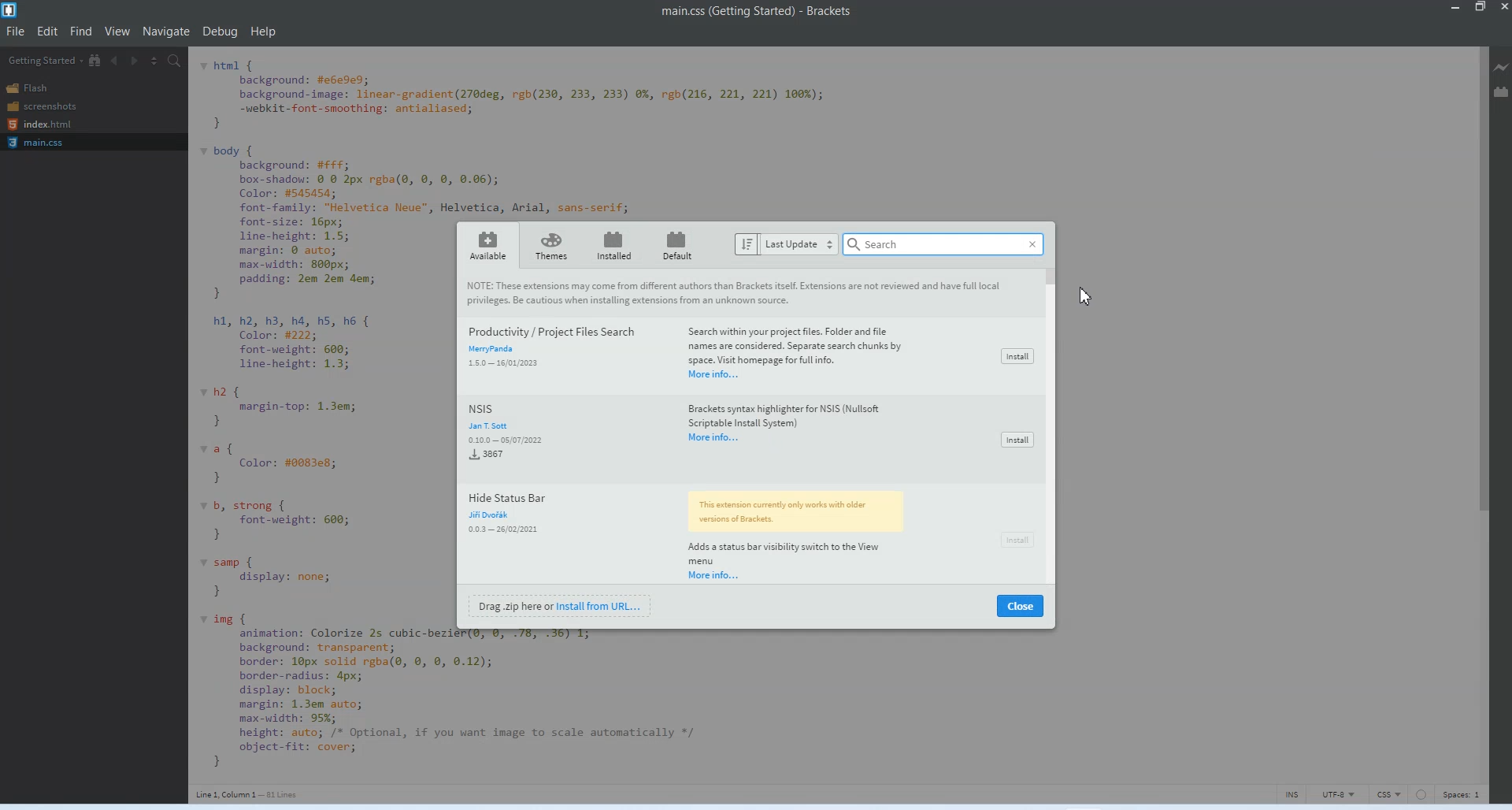  What do you see at coordinates (528, 134) in the screenshot?
I see `code` at bounding box center [528, 134].